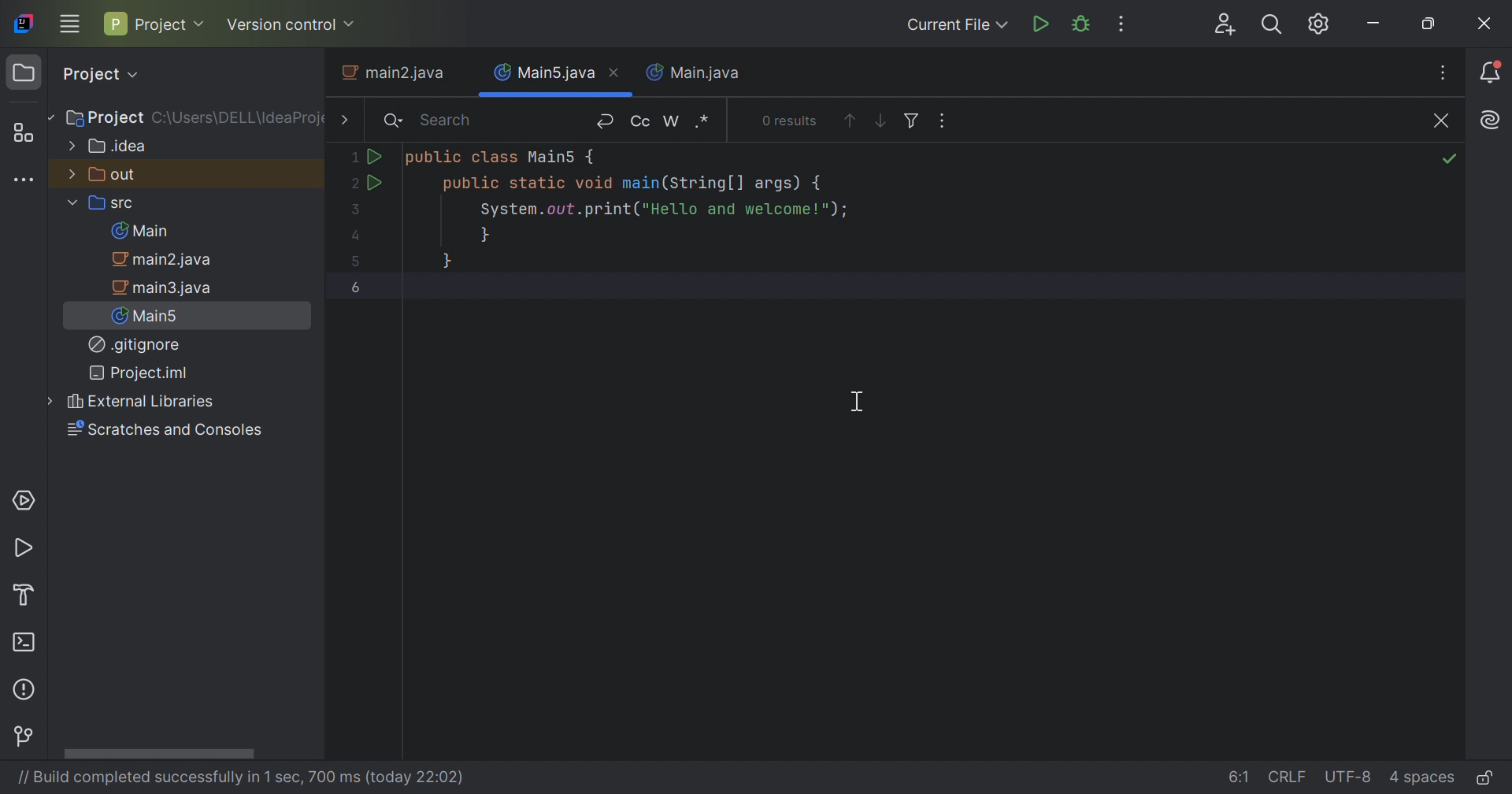 This screenshot has width=1512, height=794. What do you see at coordinates (358, 288) in the screenshot?
I see `6` at bounding box center [358, 288].